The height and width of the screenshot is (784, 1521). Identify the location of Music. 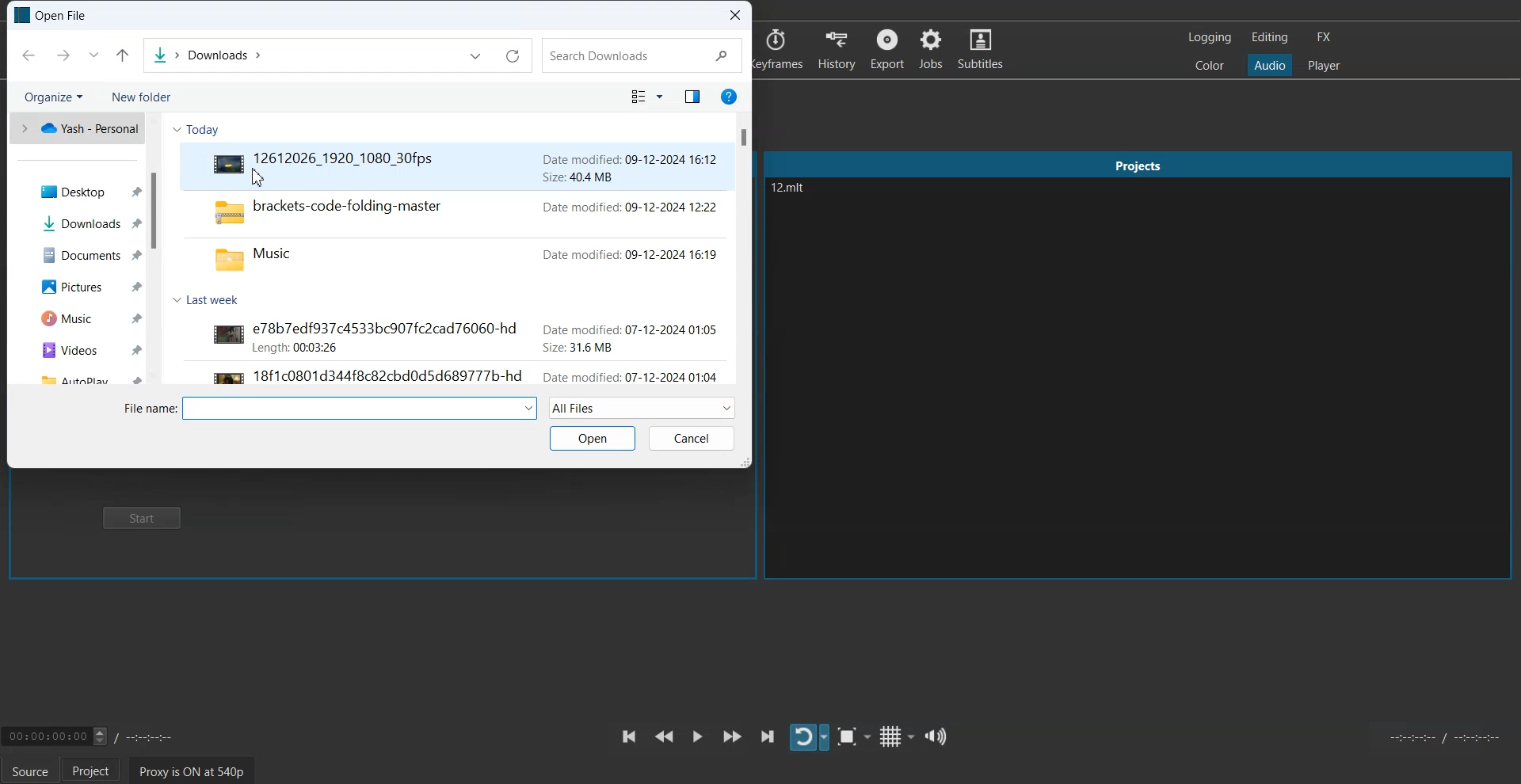
(78, 317).